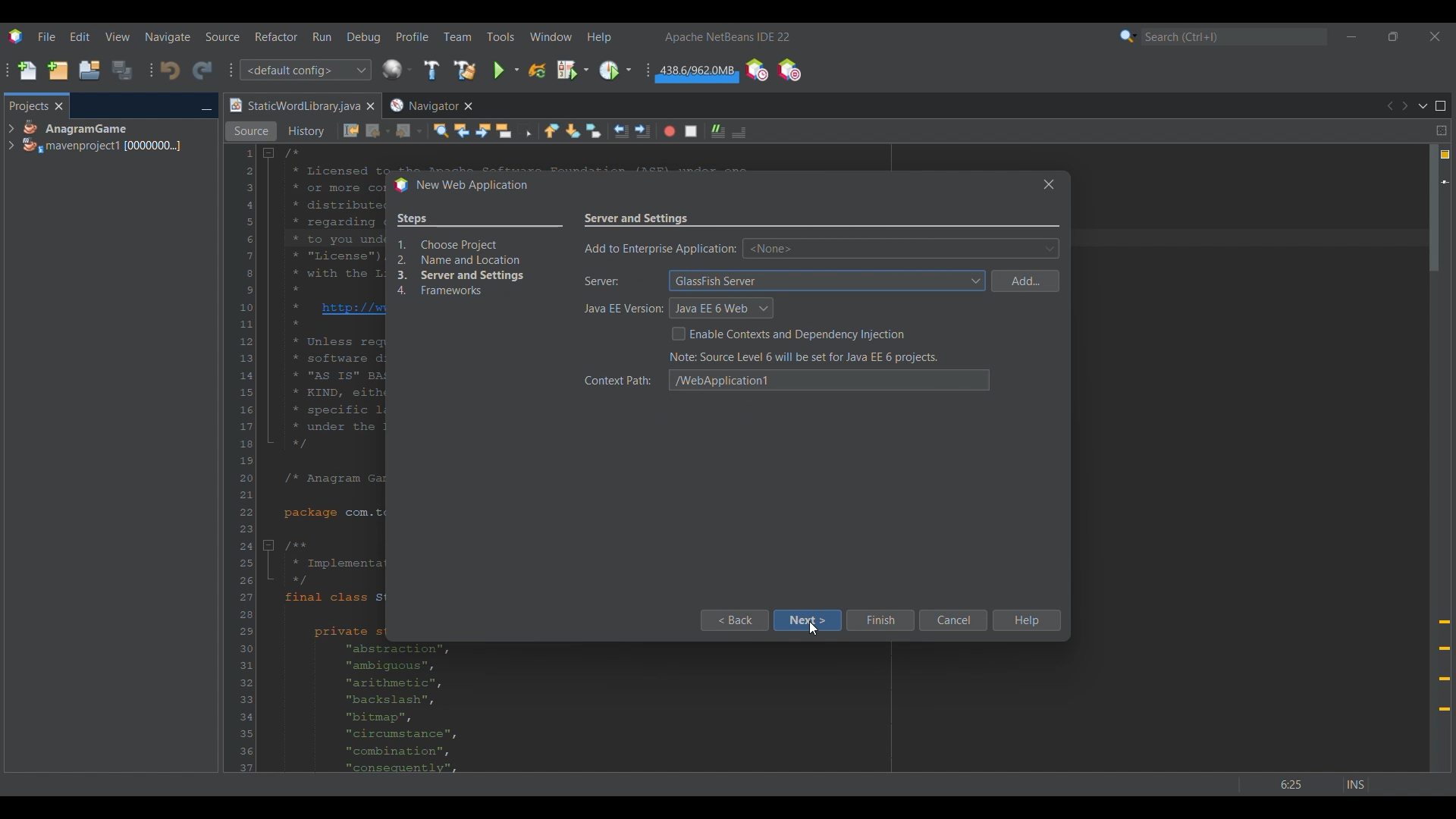 This screenshot has height=819, width=1456. Describe the element at coordinates (504, 130) in the screenshot. I see `Toggle highlight search` at that location.